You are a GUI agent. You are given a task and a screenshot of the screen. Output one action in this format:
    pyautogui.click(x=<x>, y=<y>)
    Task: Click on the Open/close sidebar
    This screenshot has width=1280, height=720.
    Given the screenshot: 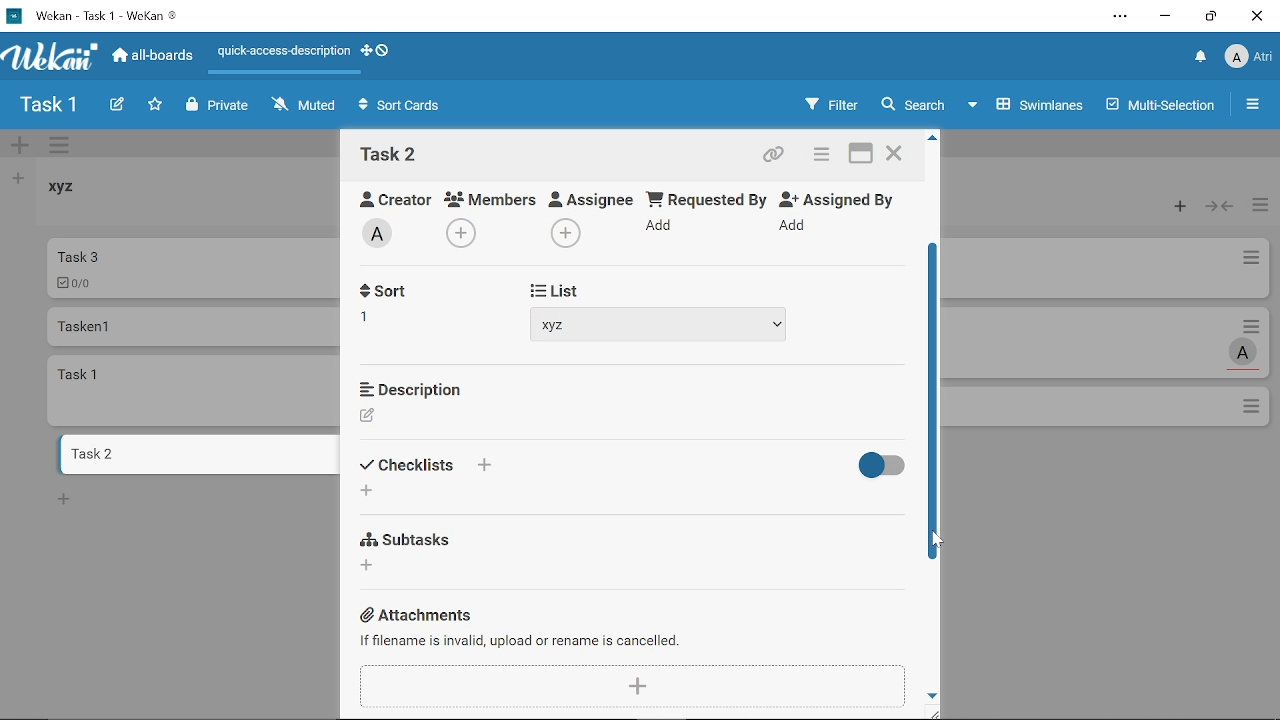 What is the action you would take?
    pyautogui.click(x=1255, y=107)
    